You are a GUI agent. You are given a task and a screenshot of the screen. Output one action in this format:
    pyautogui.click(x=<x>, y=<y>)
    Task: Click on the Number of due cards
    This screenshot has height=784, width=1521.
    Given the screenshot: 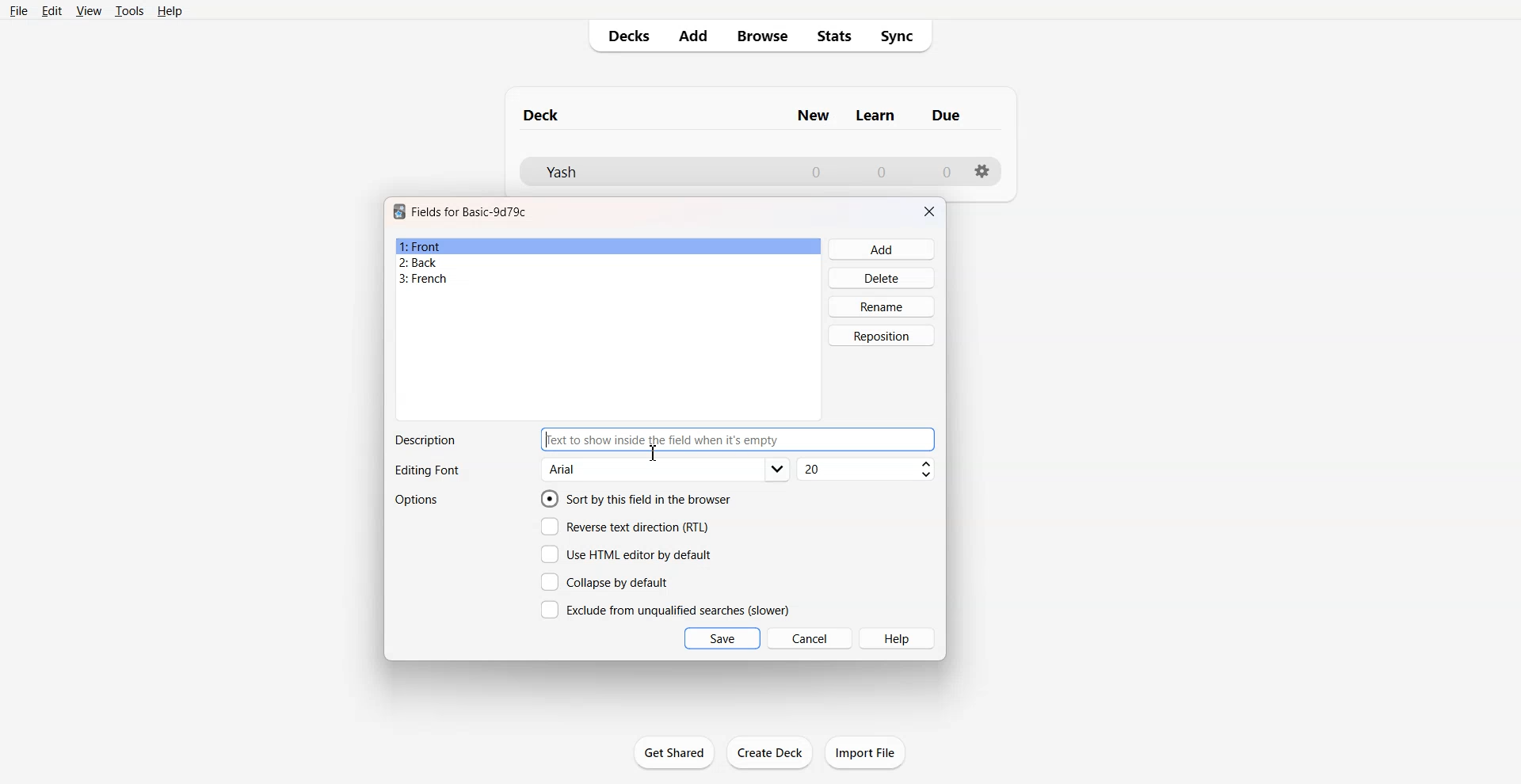 What is the action you would take?
    pyautogui.click(x=947, y=172)
    